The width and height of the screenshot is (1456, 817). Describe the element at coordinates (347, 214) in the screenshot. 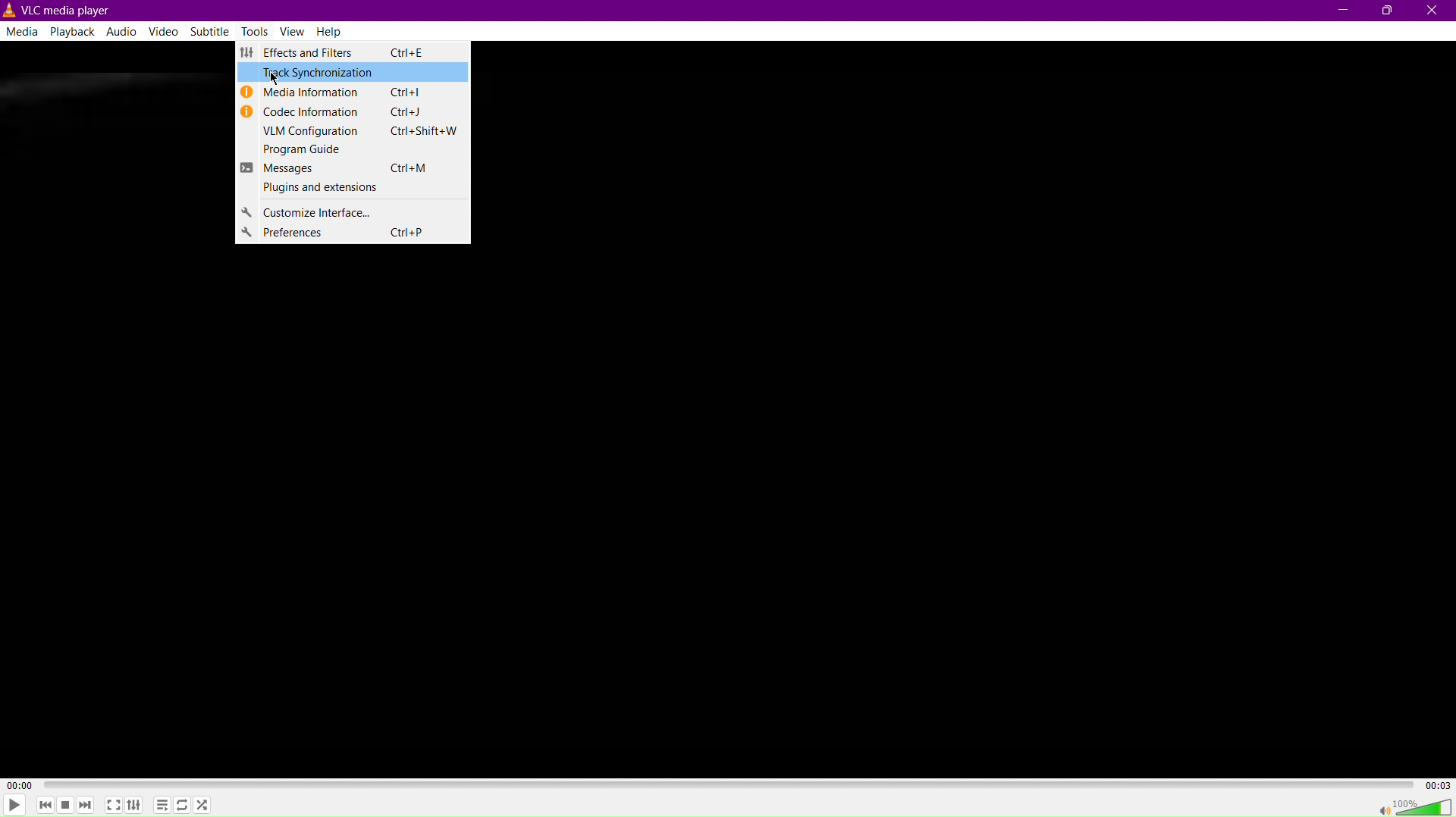

I see `Customize` at that location.